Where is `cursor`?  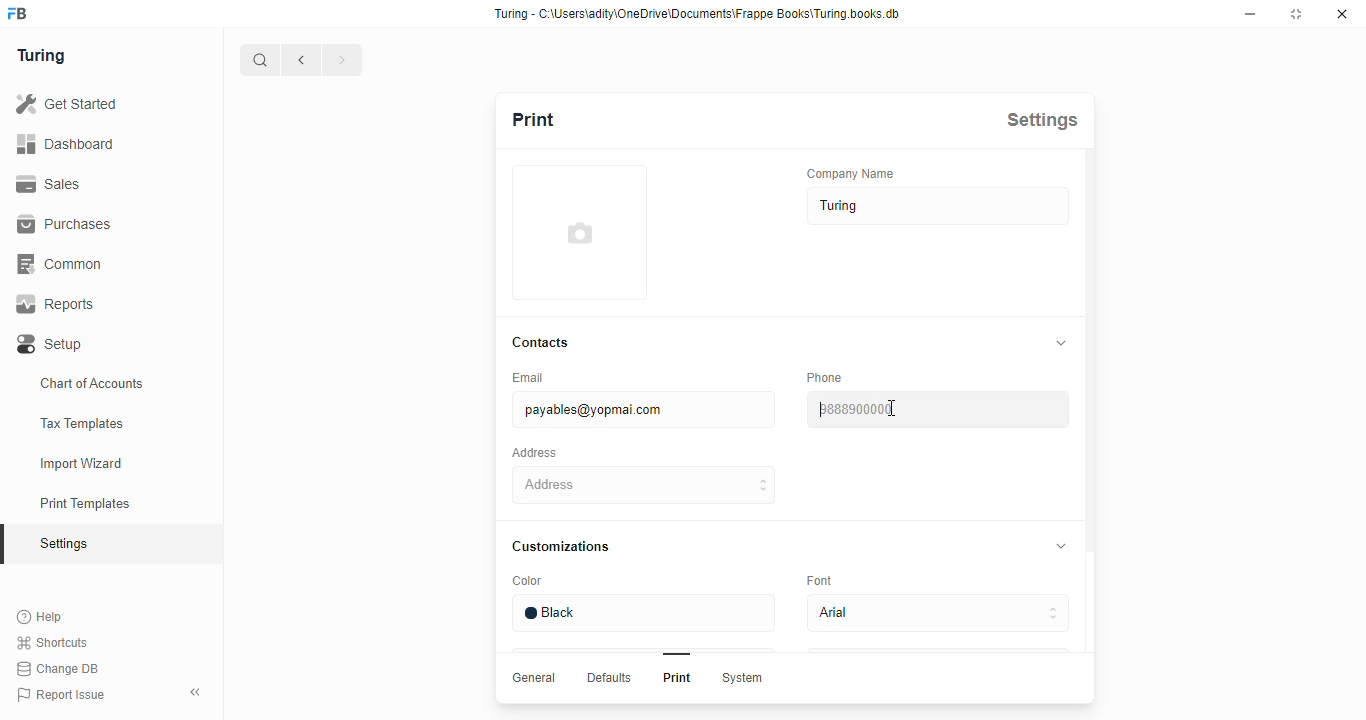 cursor is located at coordinates (895, 407).